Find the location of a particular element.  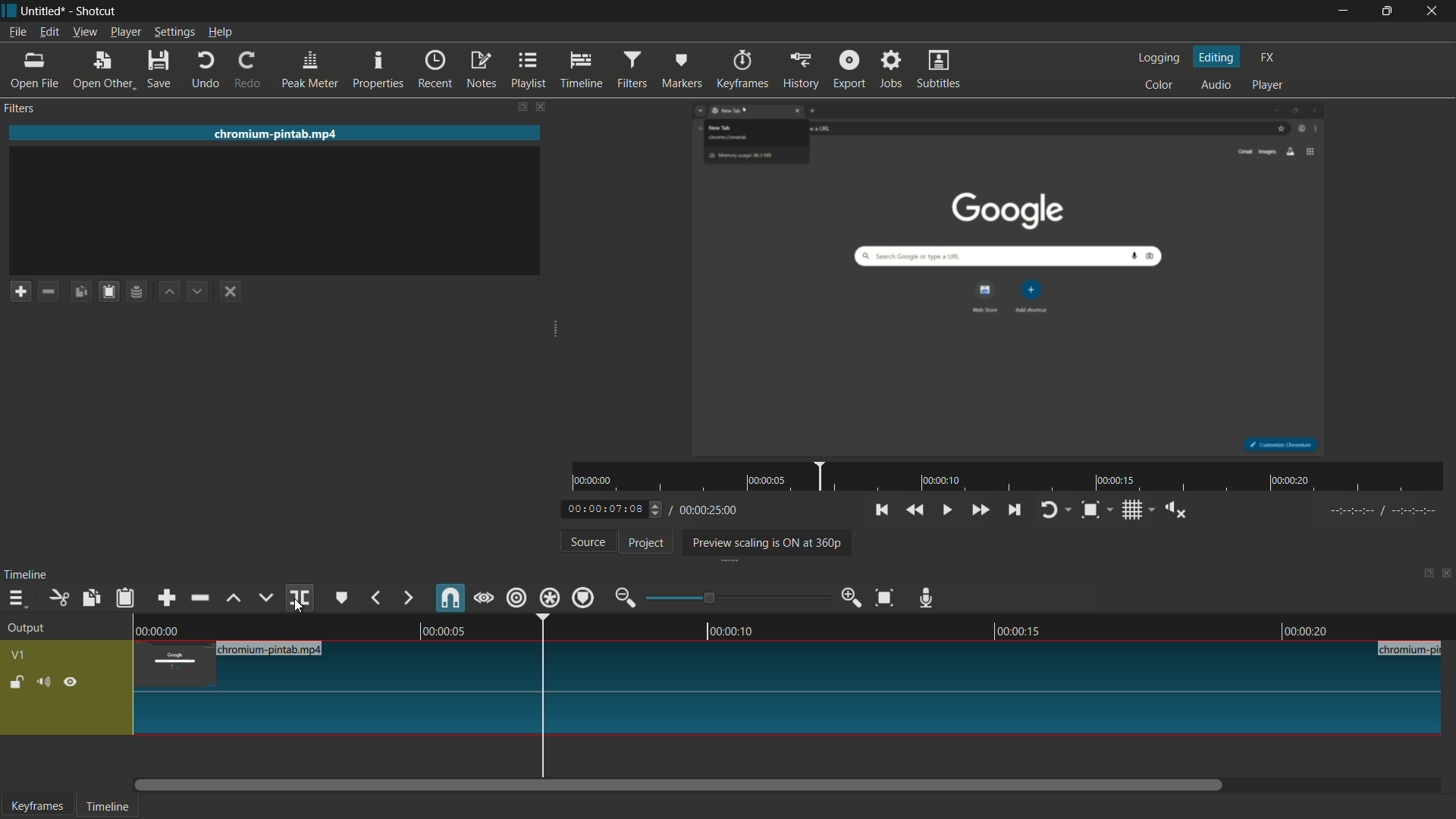

source is located at coordinates (589, 541).